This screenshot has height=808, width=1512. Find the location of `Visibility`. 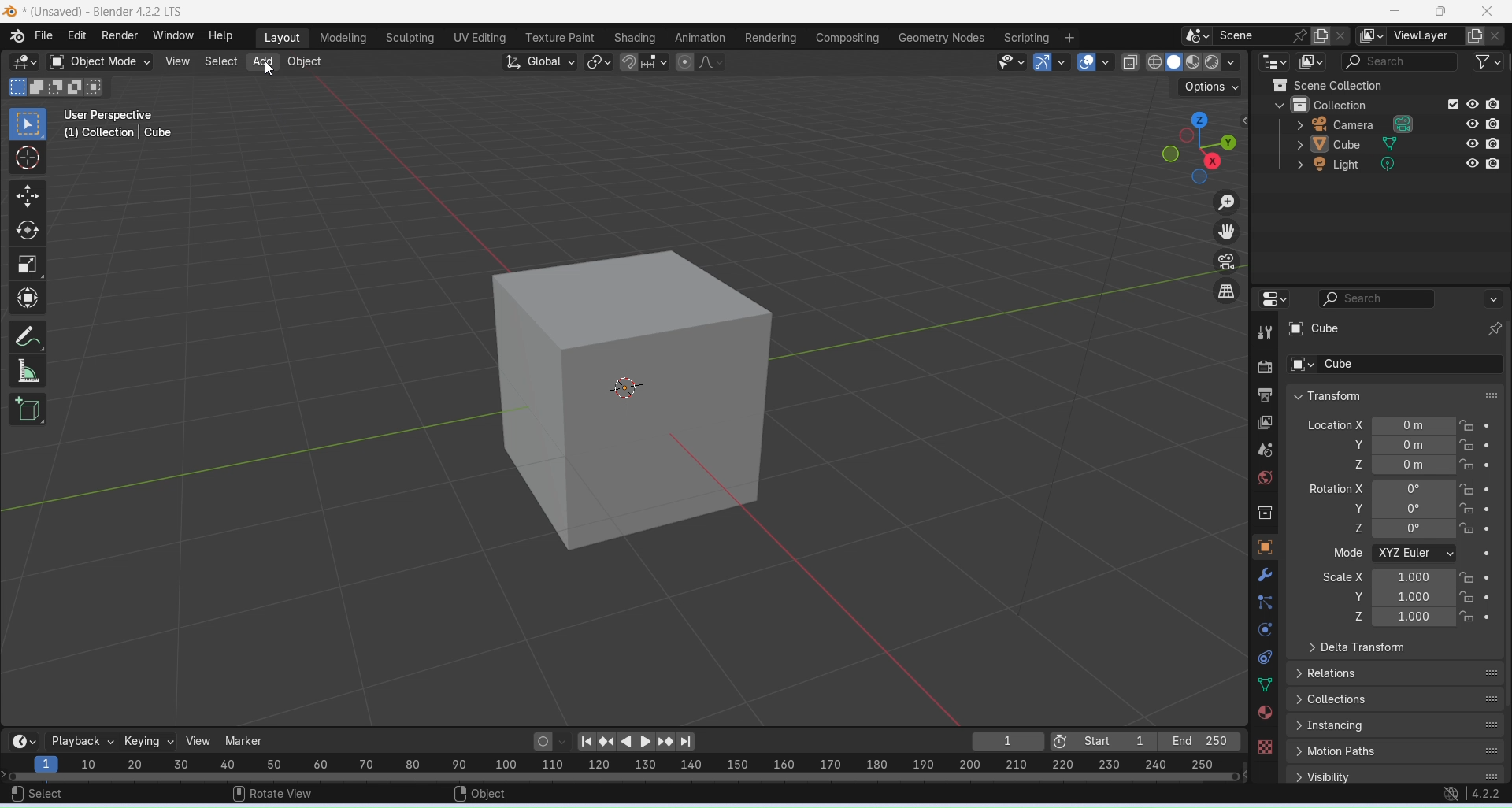

Visibility is located at coordinates (1395, 775).